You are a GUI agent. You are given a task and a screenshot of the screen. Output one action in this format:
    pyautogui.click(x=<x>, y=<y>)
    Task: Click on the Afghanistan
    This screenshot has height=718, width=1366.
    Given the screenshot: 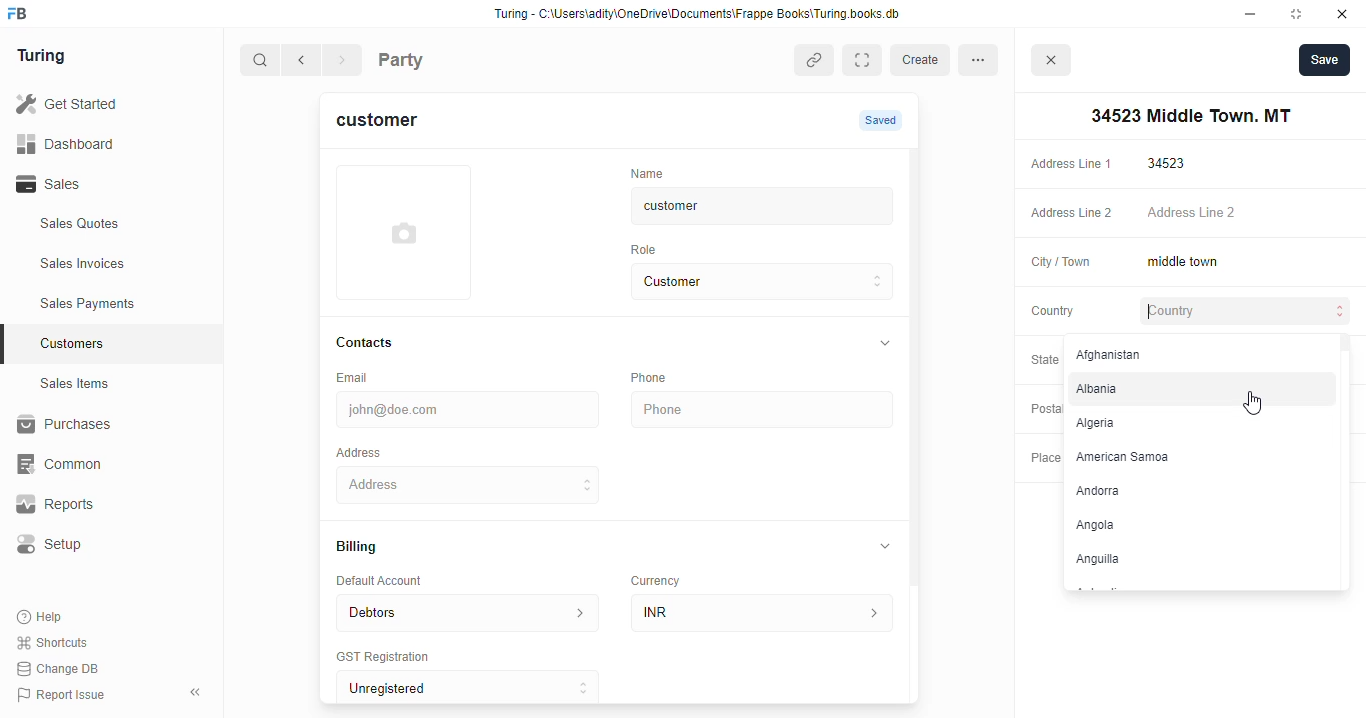 What is the action you would take?
    pyautogui.click(x=1198, y=356)
    